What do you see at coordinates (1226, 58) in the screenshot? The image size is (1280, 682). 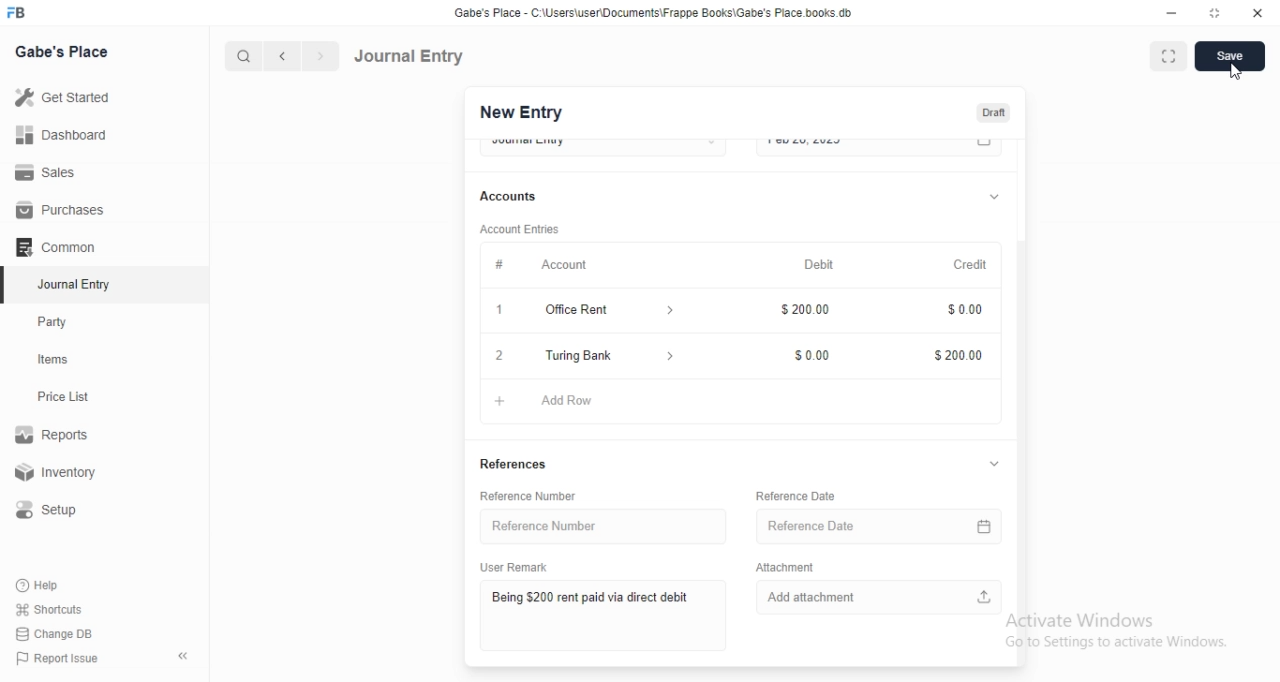 I see `save` at bounding box center [1226, 58].